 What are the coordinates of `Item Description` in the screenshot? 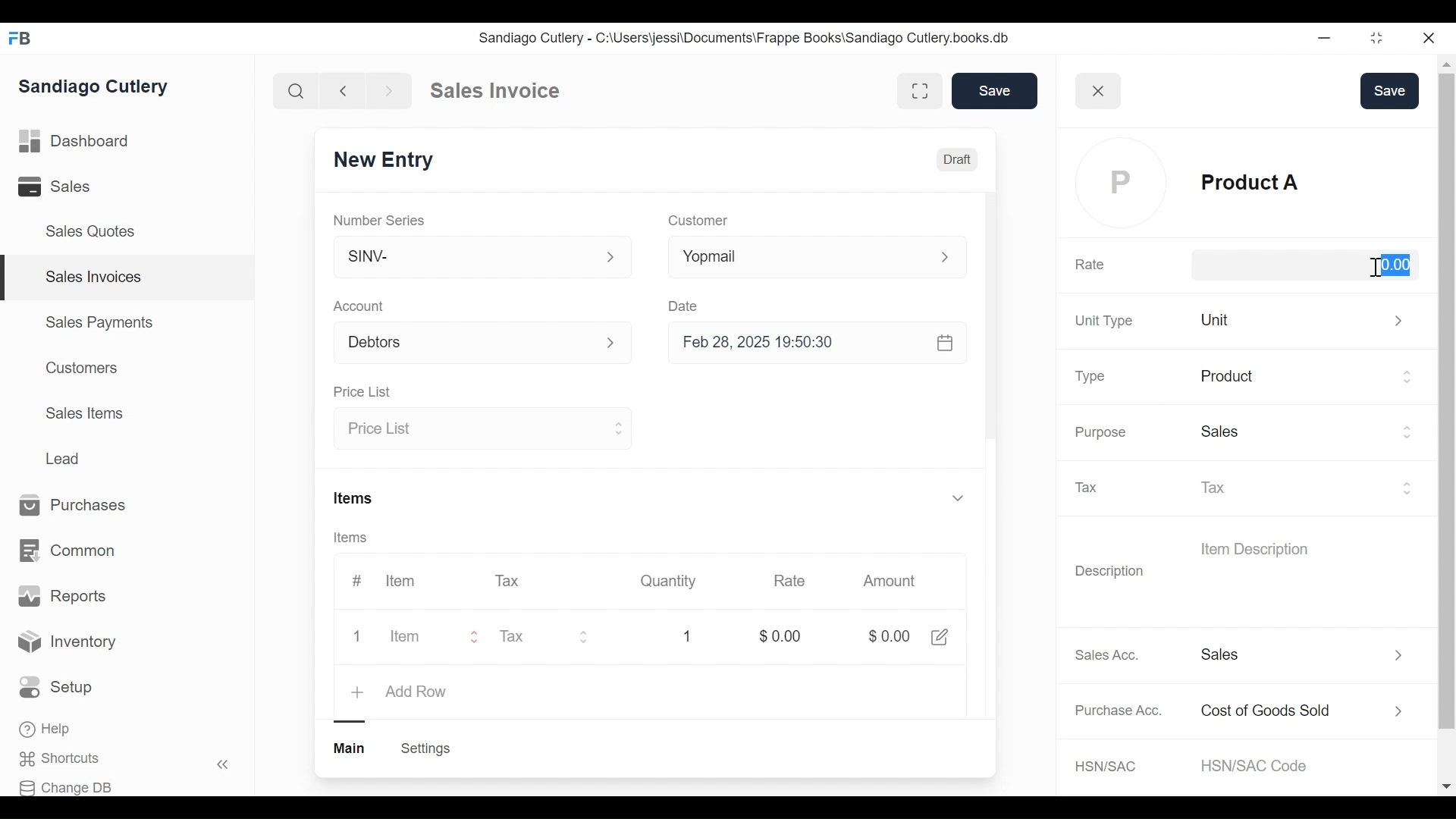 It's located at (1254, 548).